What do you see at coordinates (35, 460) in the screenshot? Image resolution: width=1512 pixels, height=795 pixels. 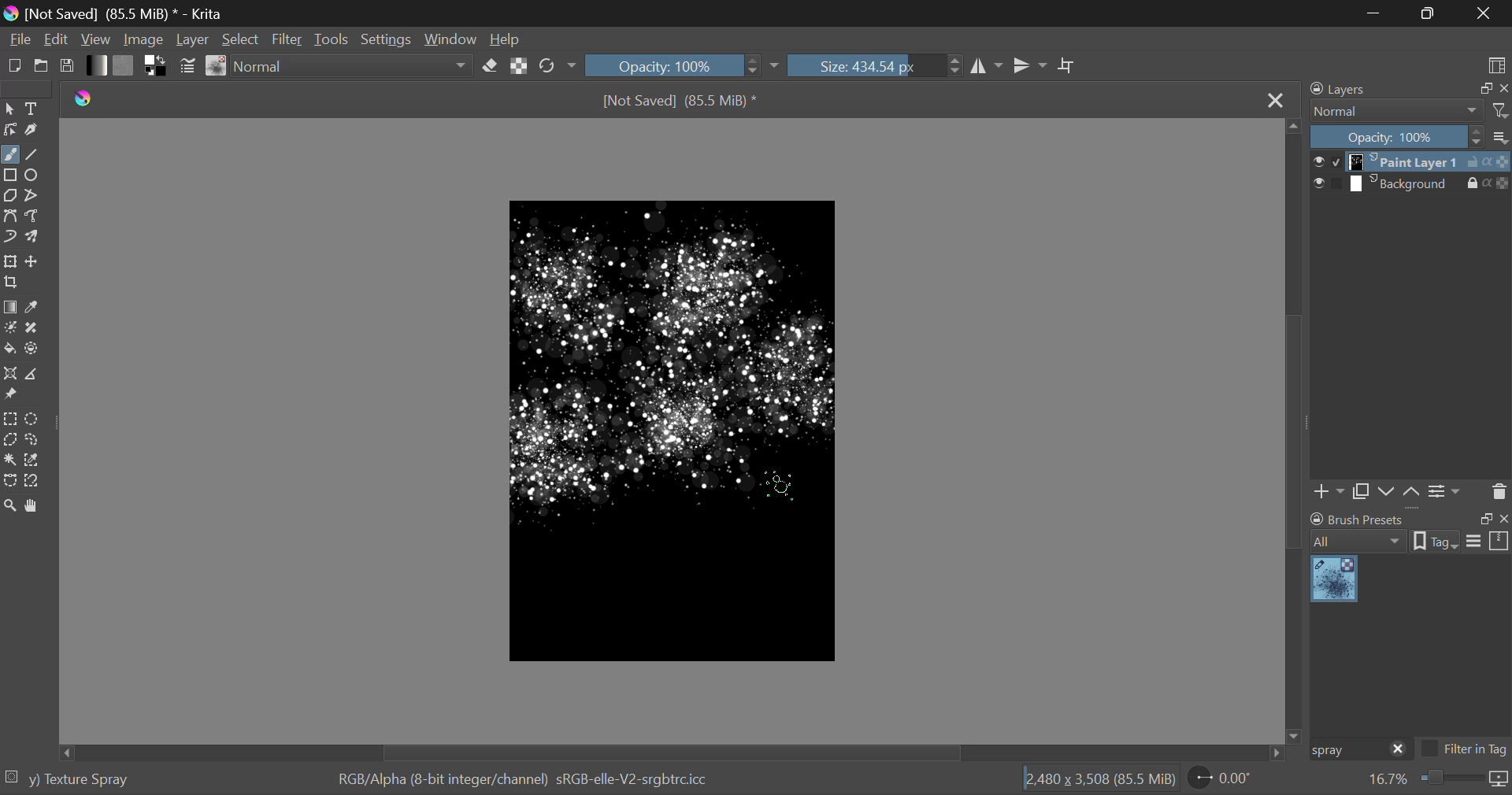 I see `Similar Color Selector` at bounding box center [35, 460].